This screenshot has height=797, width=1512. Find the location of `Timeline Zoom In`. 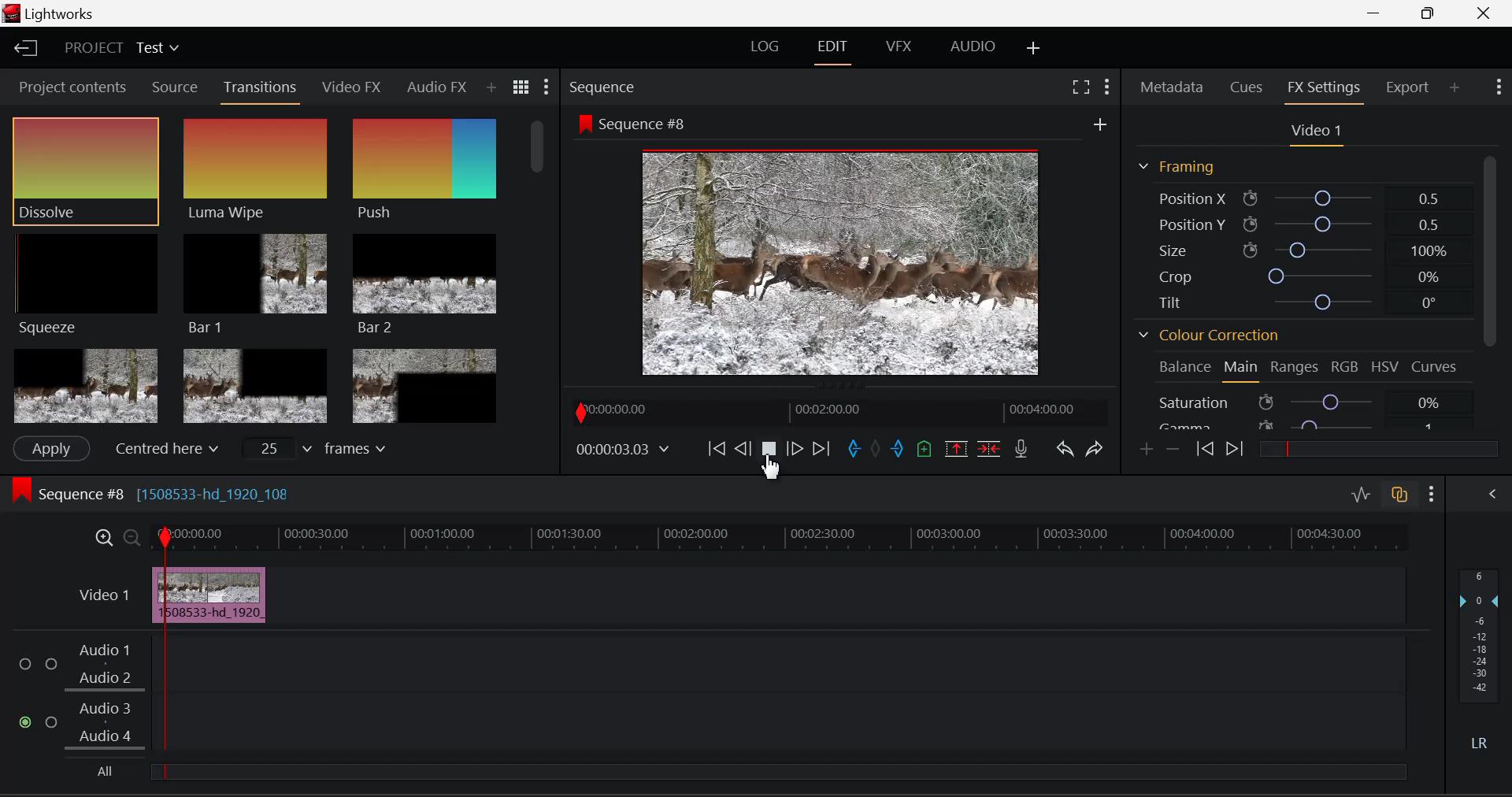

Timeline Zoom In is located at coordinates (104, 537).